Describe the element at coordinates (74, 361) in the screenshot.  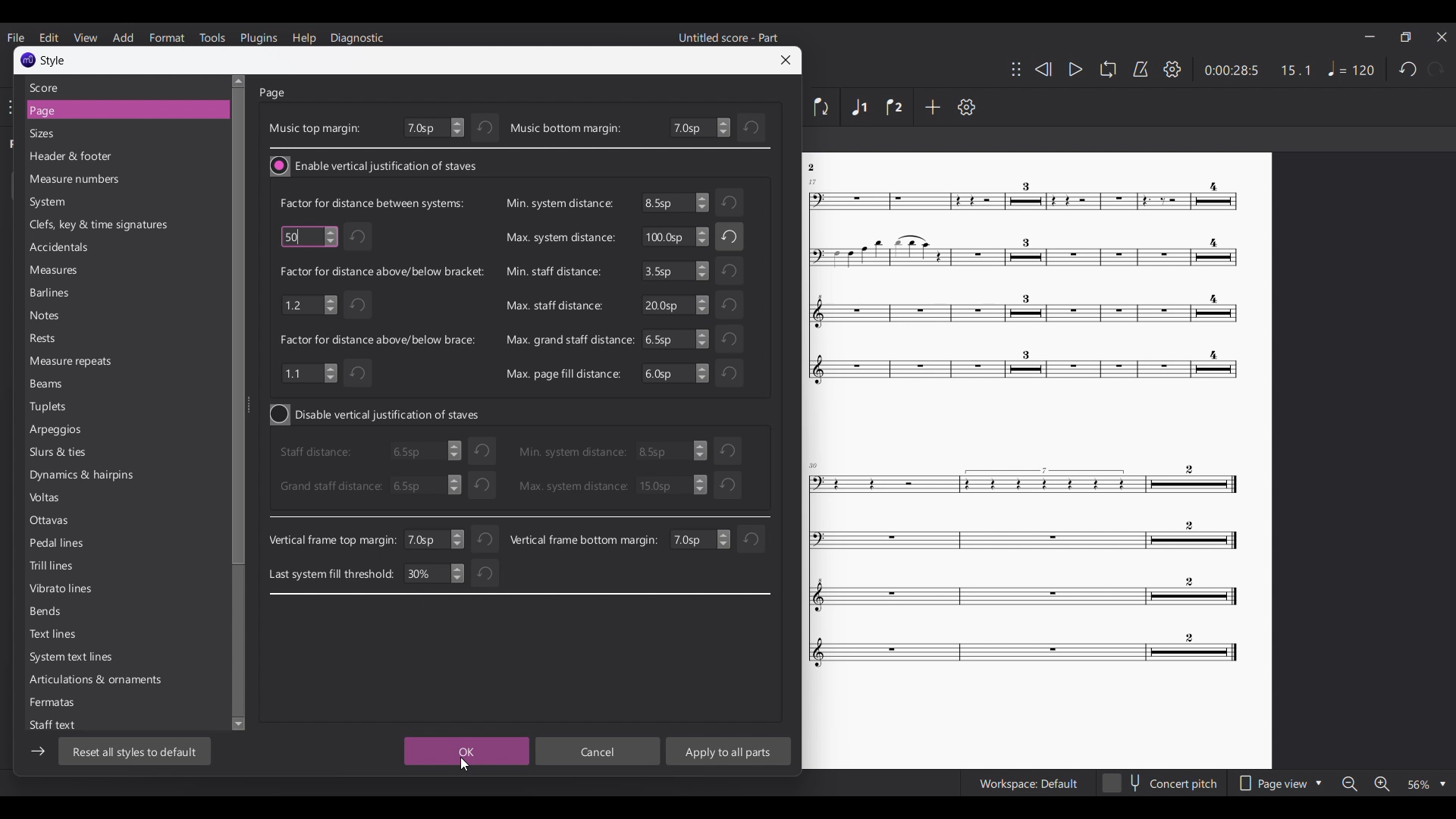
I see `Measure repeats` at that location.